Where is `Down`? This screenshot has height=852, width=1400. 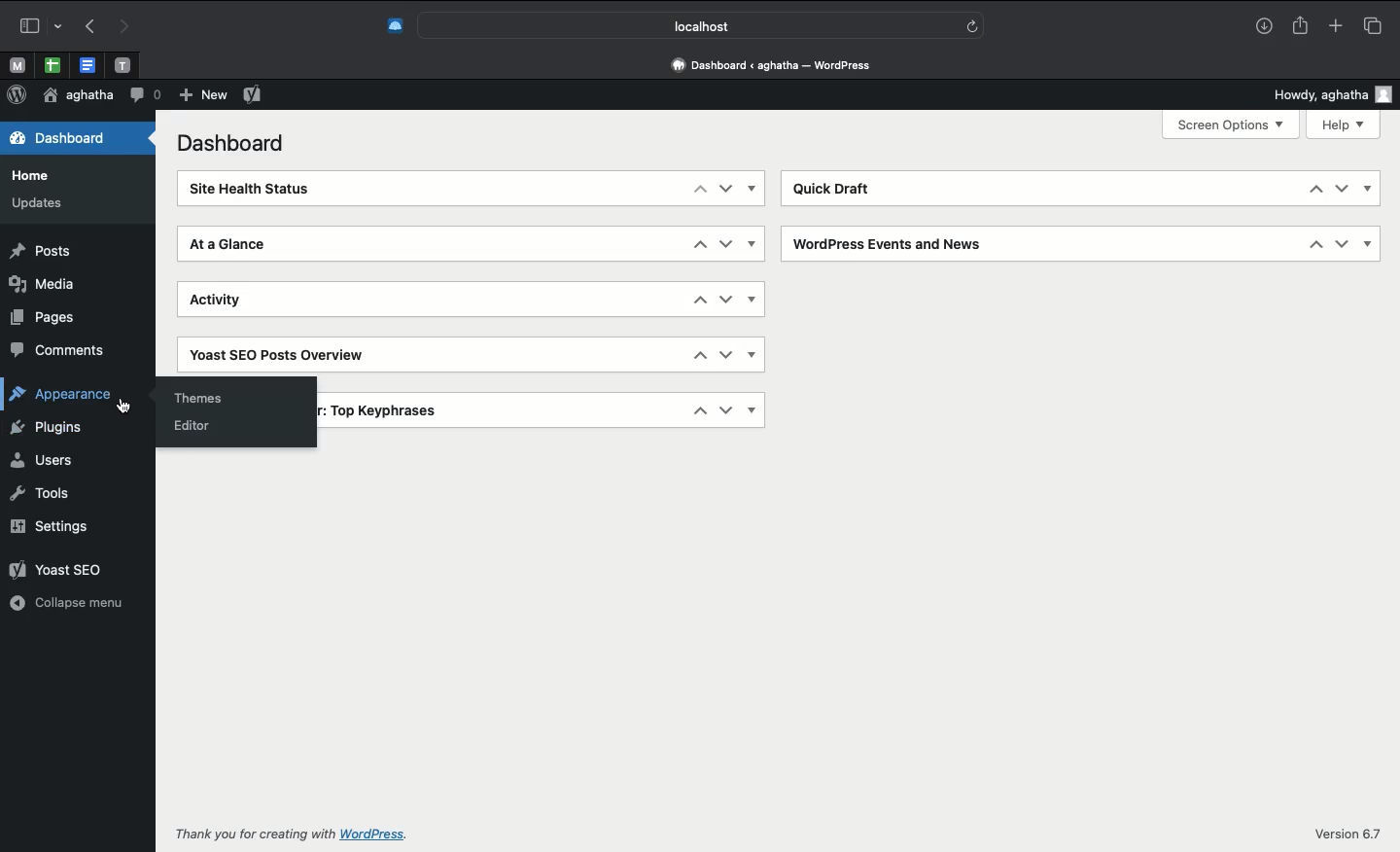
Down is located at coordinates (1342, 244).